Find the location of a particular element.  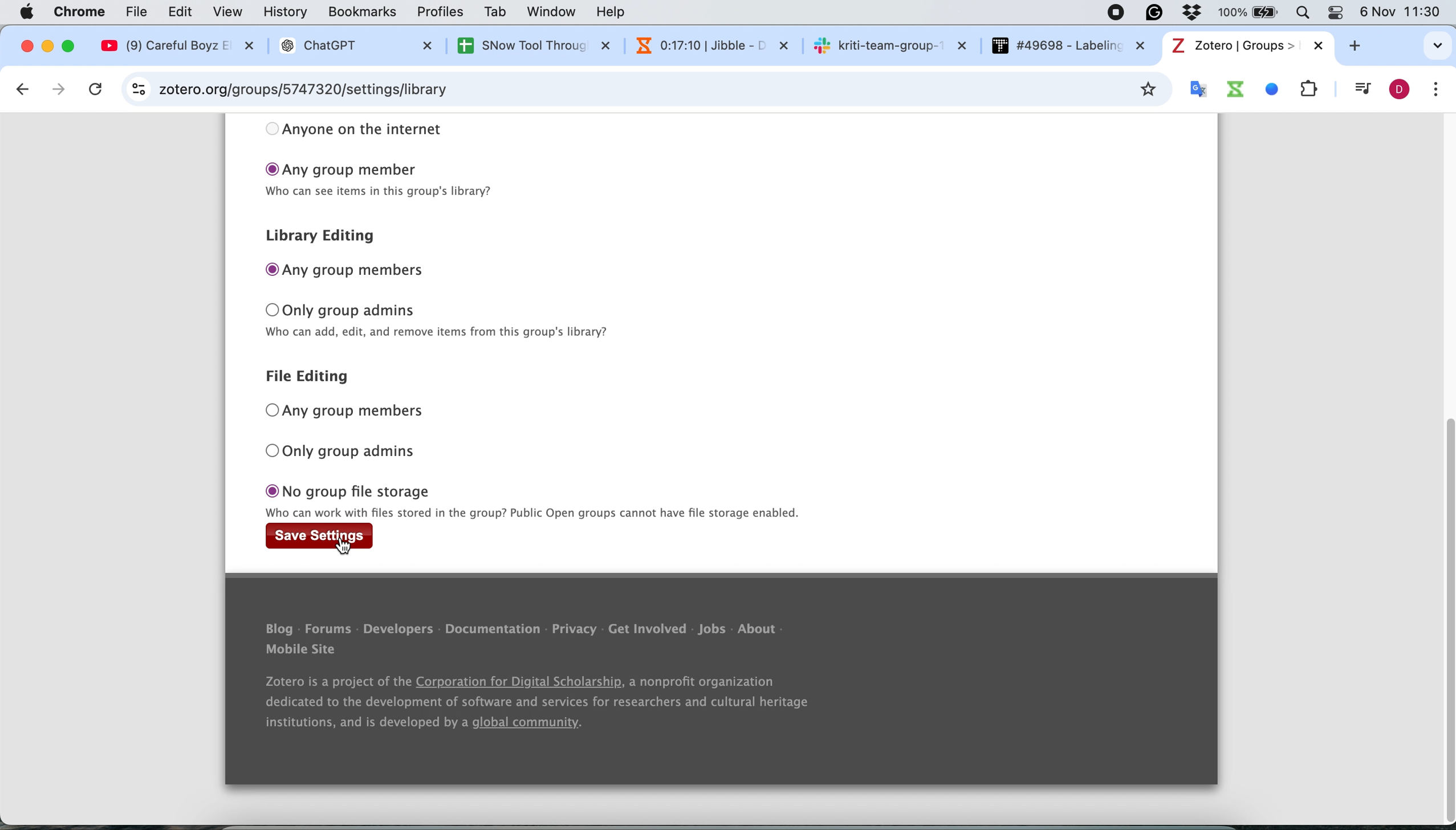

tab name is located at coordinates (1246, 46).